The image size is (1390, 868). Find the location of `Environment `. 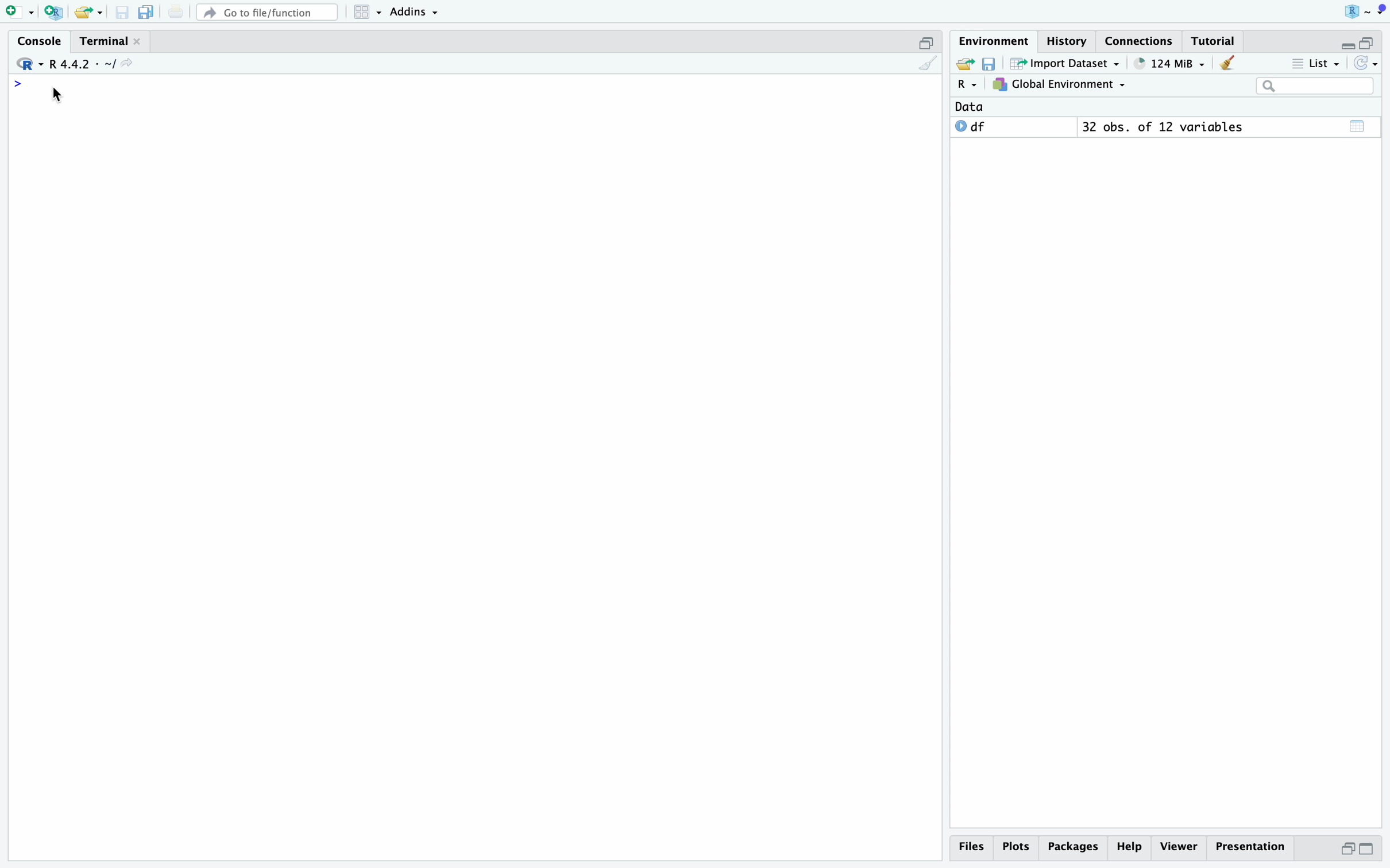

Environment  is located at coordinates (995, 41).